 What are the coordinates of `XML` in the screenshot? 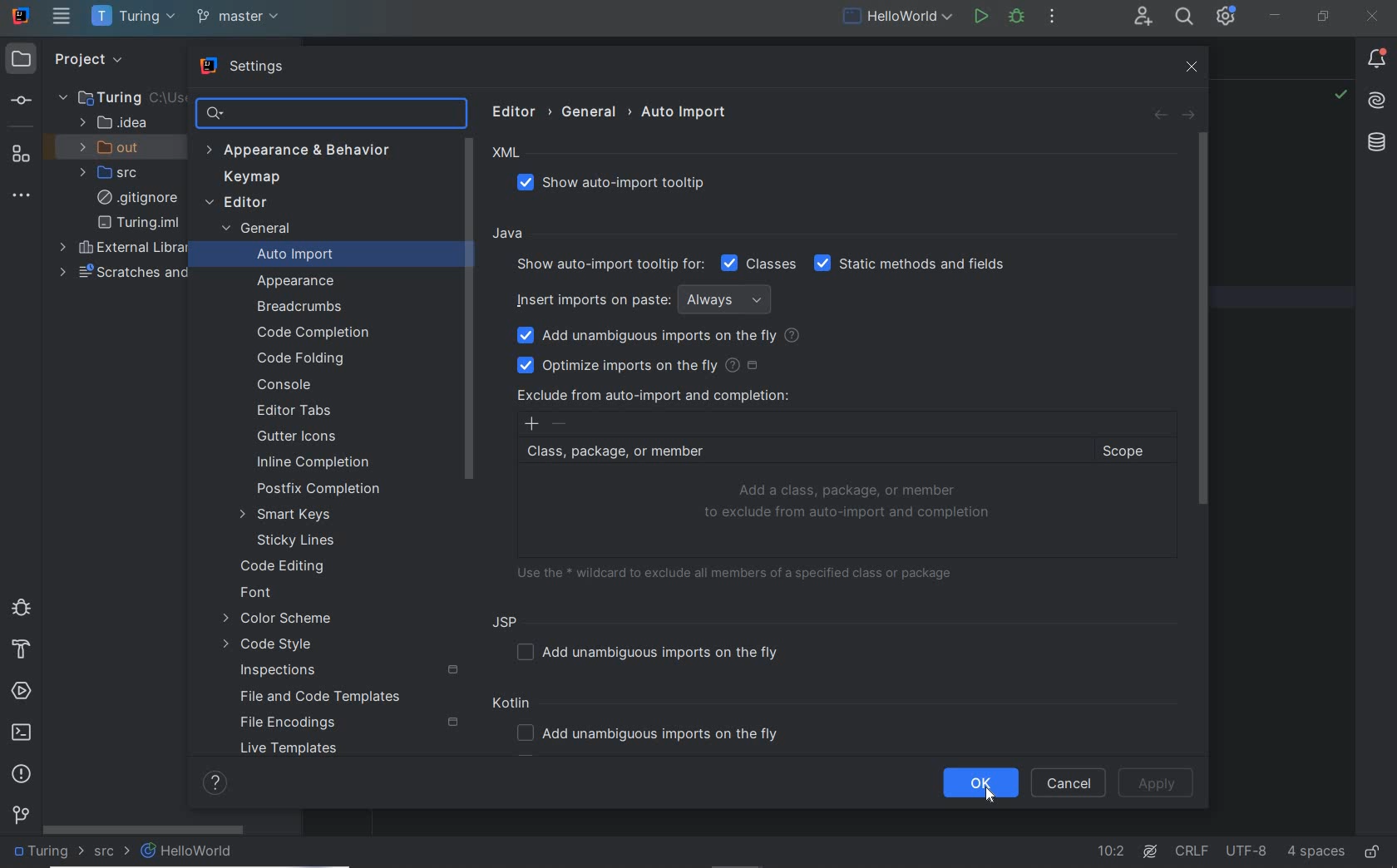 It's located at (507, 153).